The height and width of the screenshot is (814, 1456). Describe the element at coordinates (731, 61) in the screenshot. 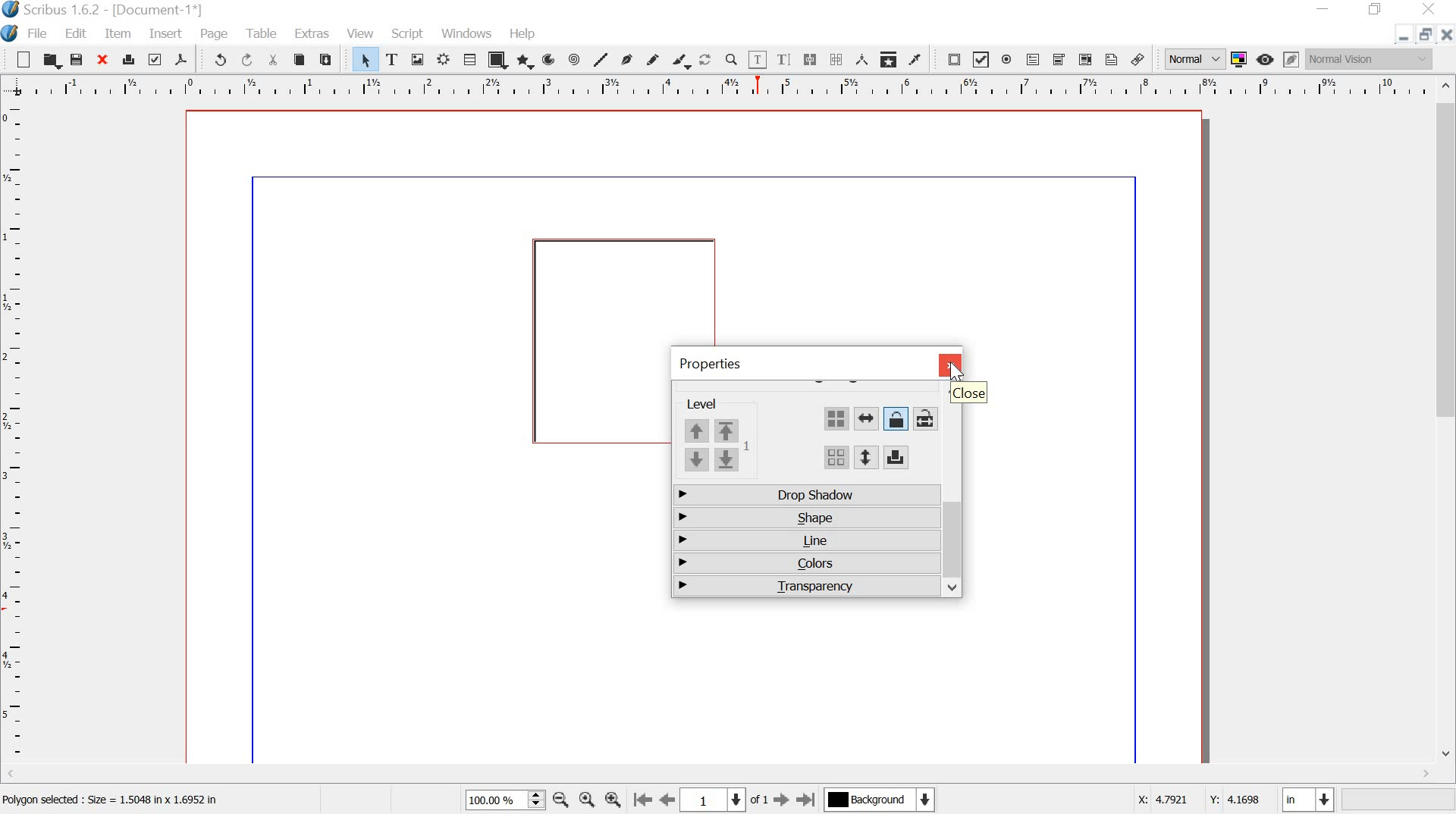

I see `zoom in or out` at that location.